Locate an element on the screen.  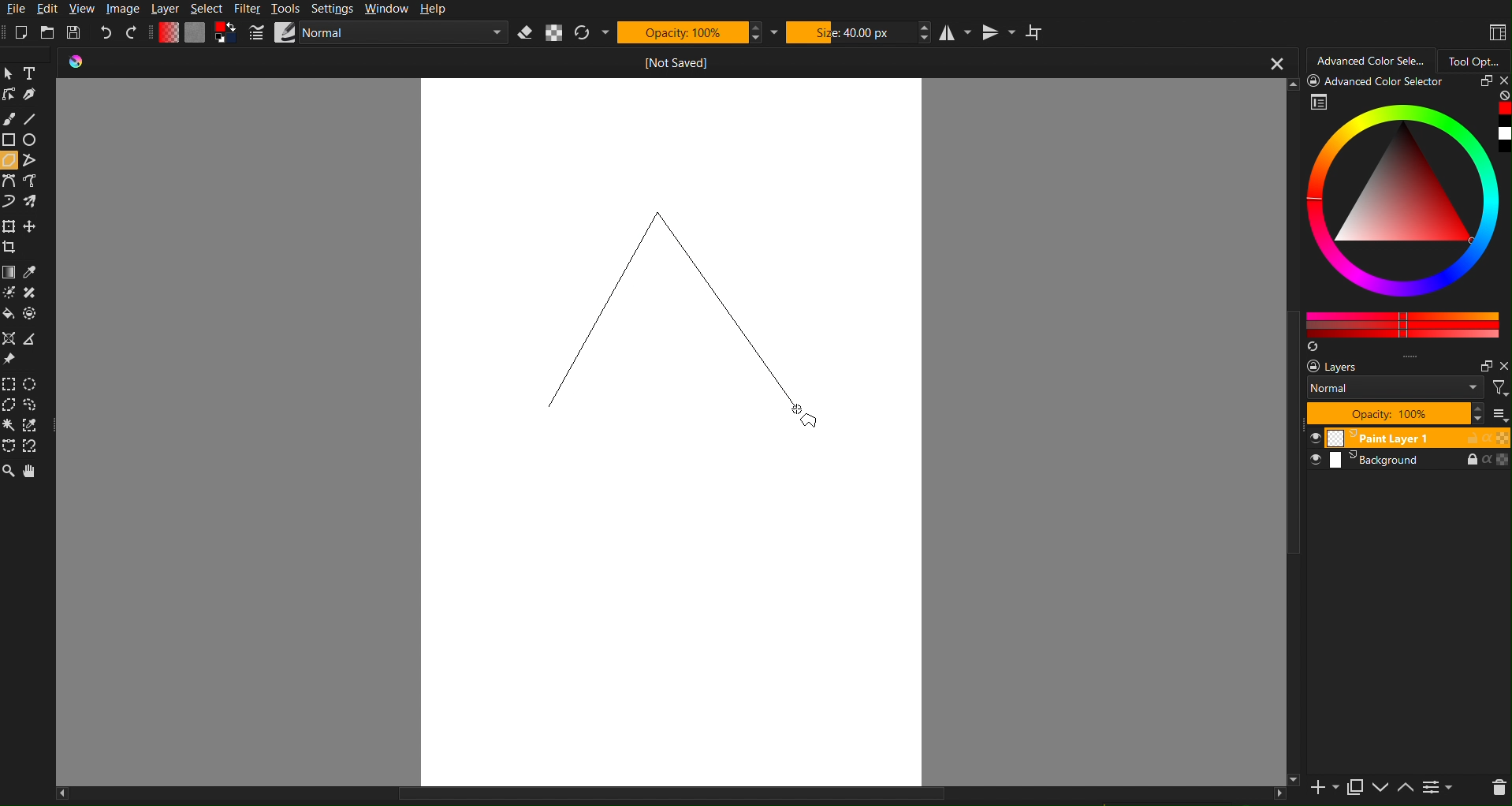
elliptical Selection Tools is located at coordinates (32, 383).